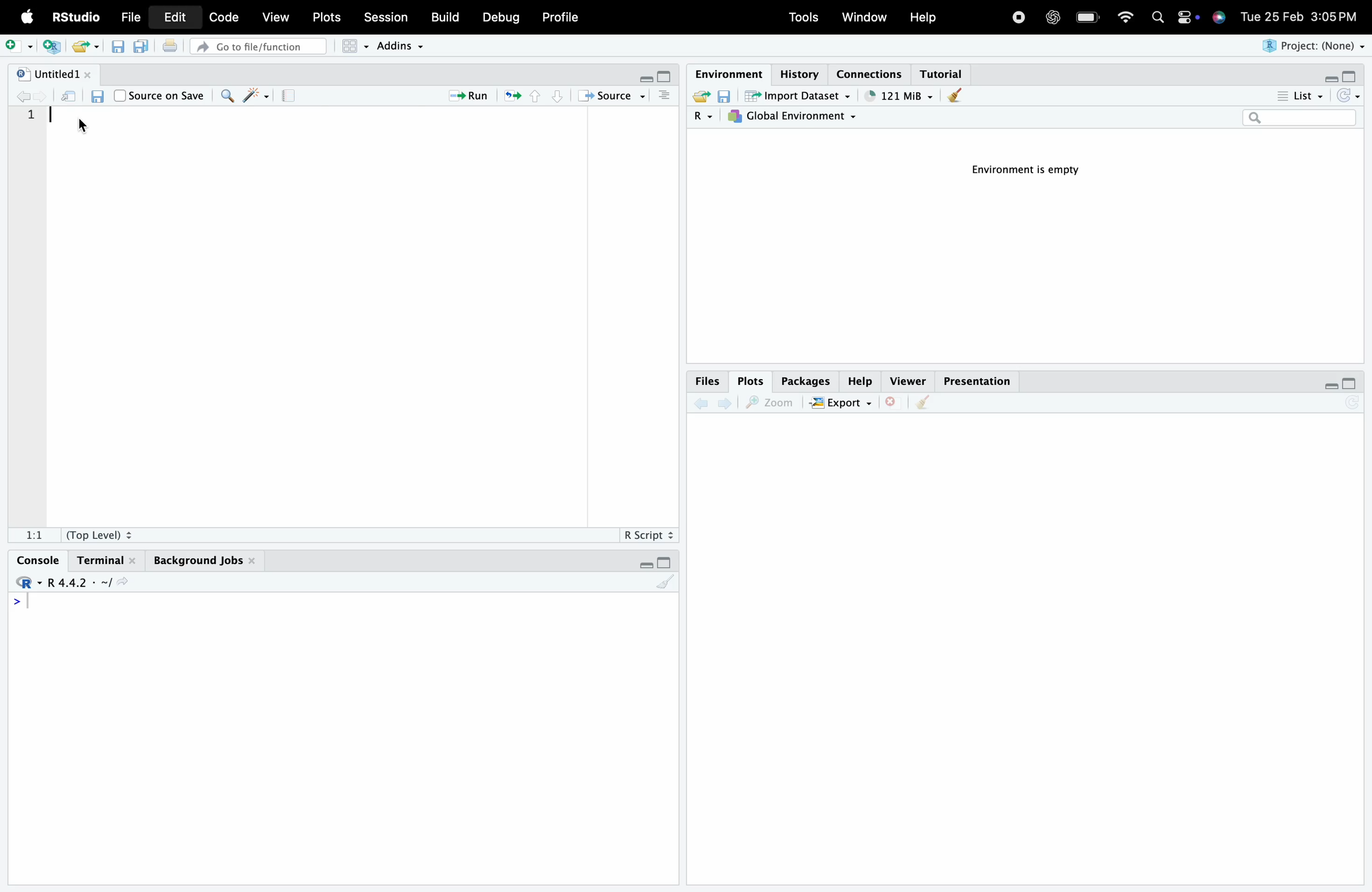  I want to click on Export, so click(845, 402).